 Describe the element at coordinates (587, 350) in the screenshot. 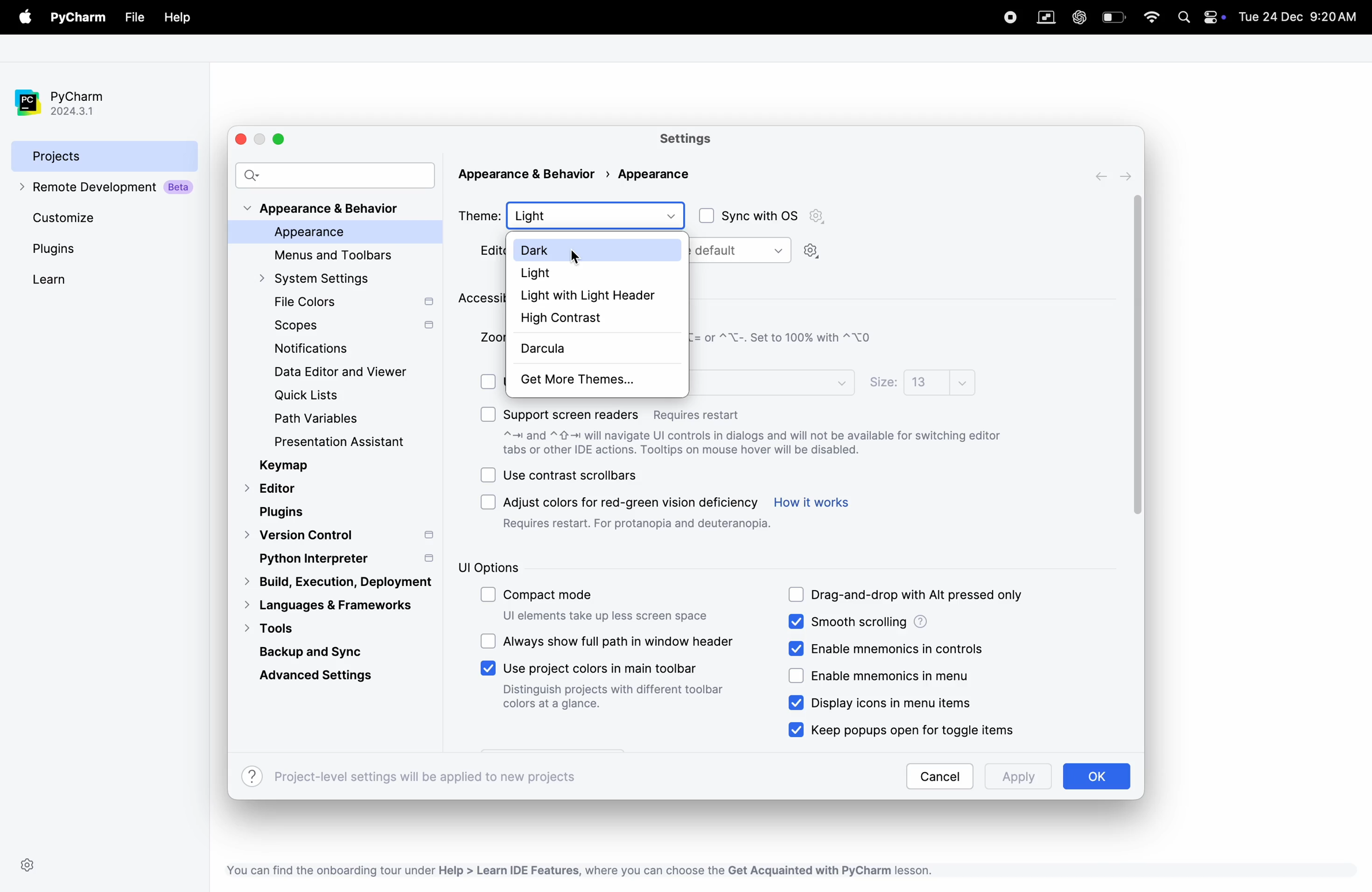

I see `dracula` at that location.